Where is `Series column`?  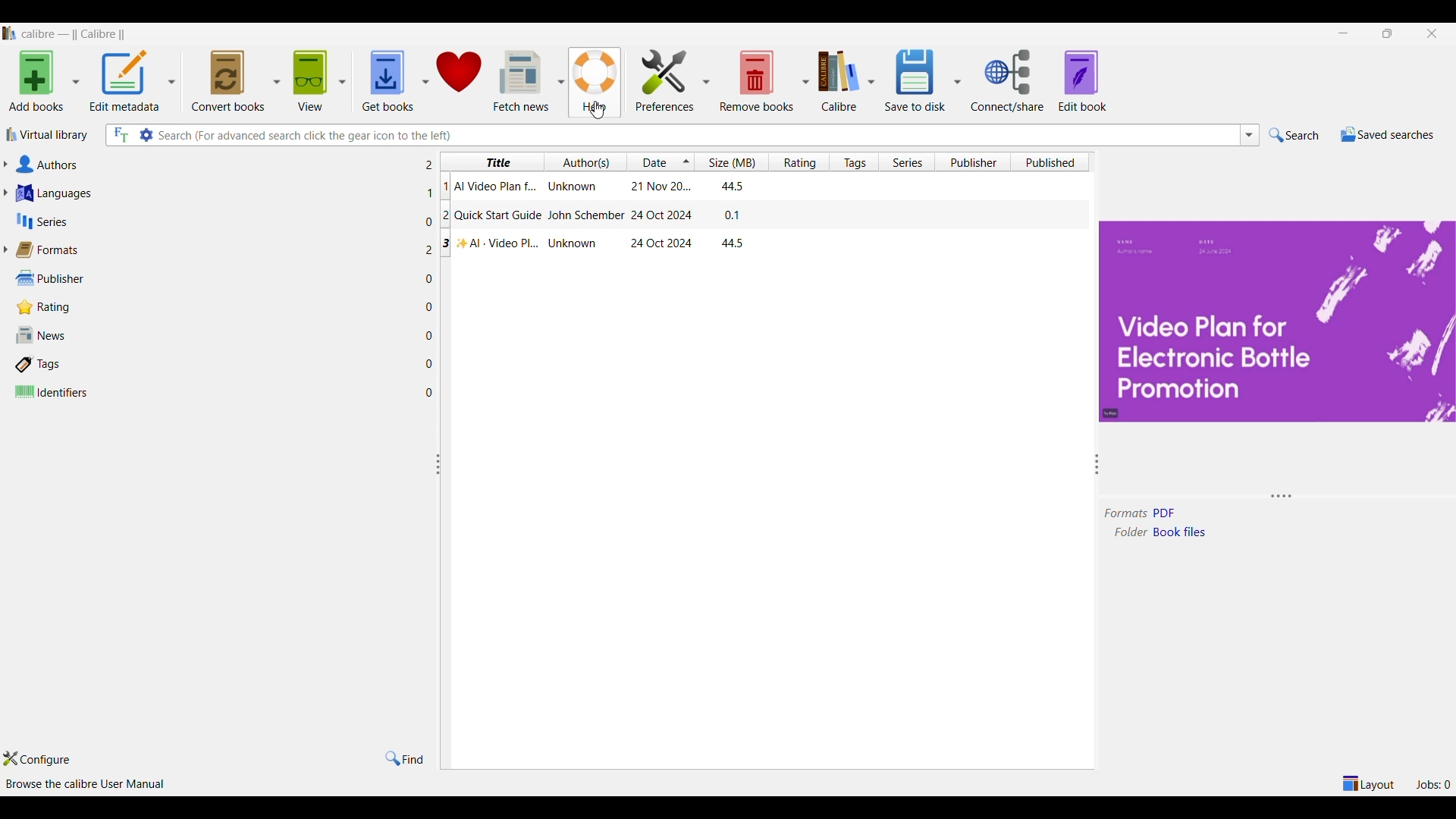
Series column is located at coordinates (907, 162).